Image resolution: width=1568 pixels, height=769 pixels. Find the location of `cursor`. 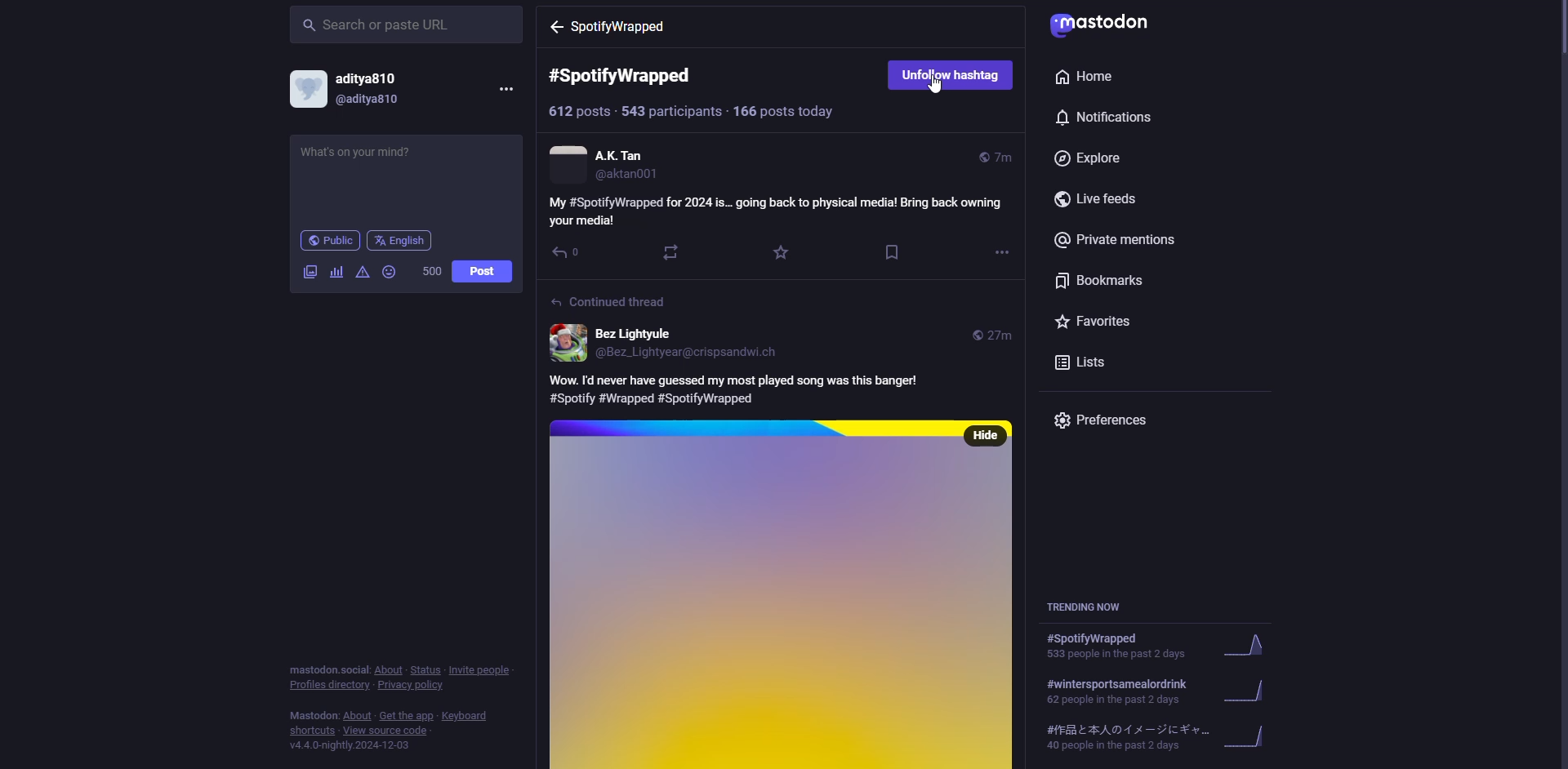

cursor is located at coordinates (936, 87).